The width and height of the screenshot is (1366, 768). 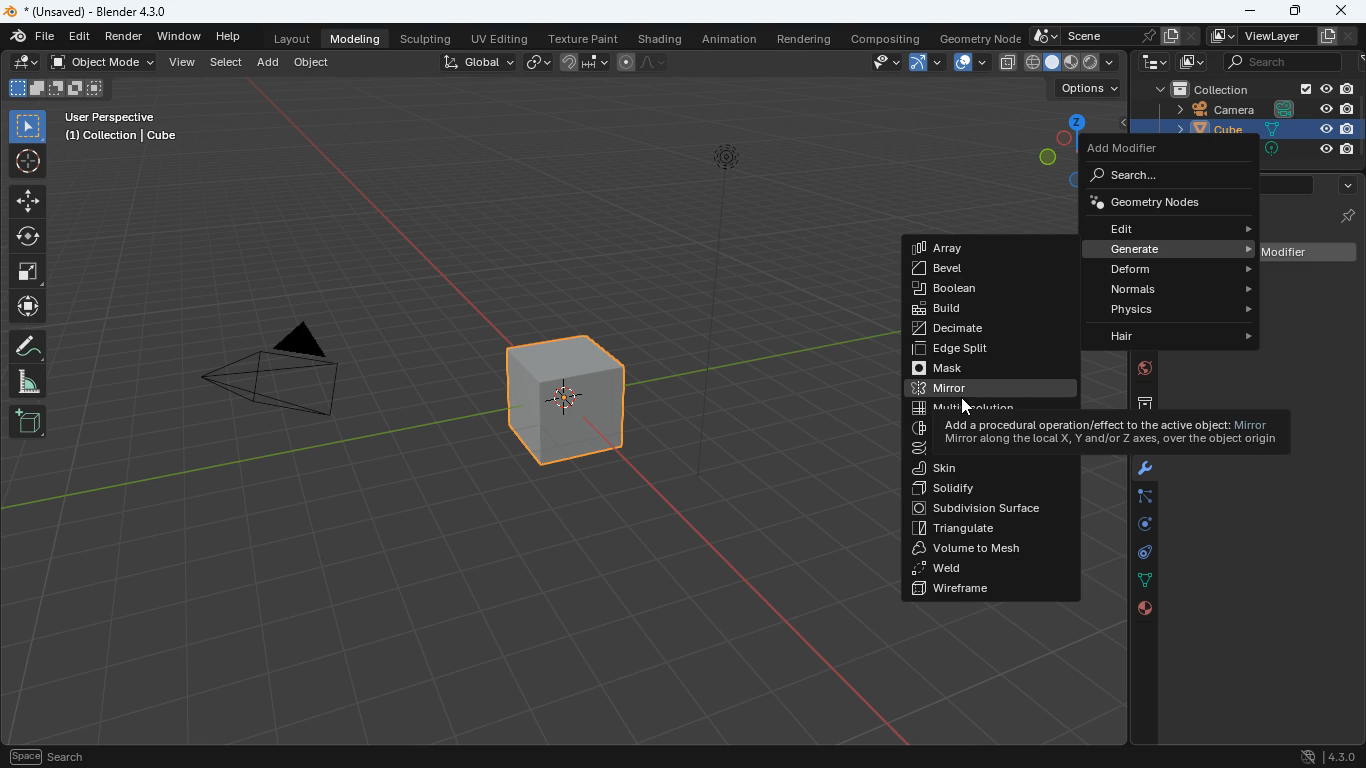 What do you see at coordinates (1115, 36) in the screenshot?
I see `scene` at bounding box center [1115, 36].